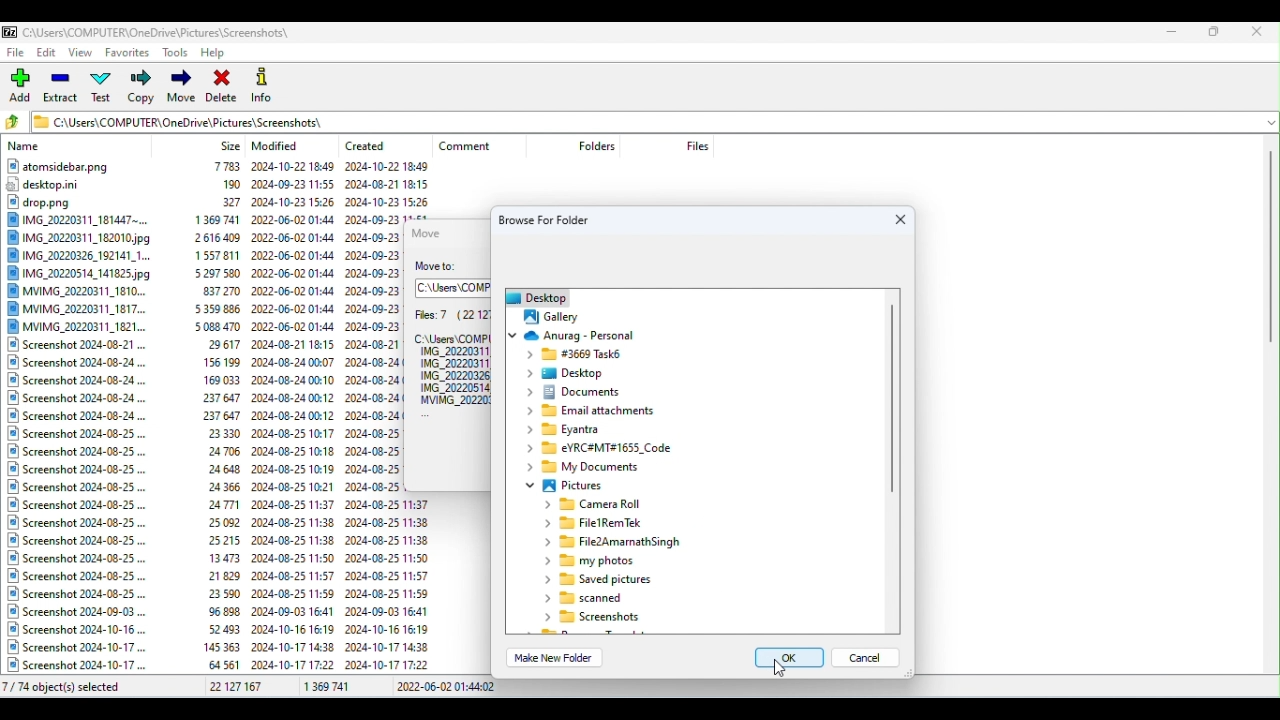  Describe the element at coordinates (181, 88) in the screenshot. I see `Move` at that location.